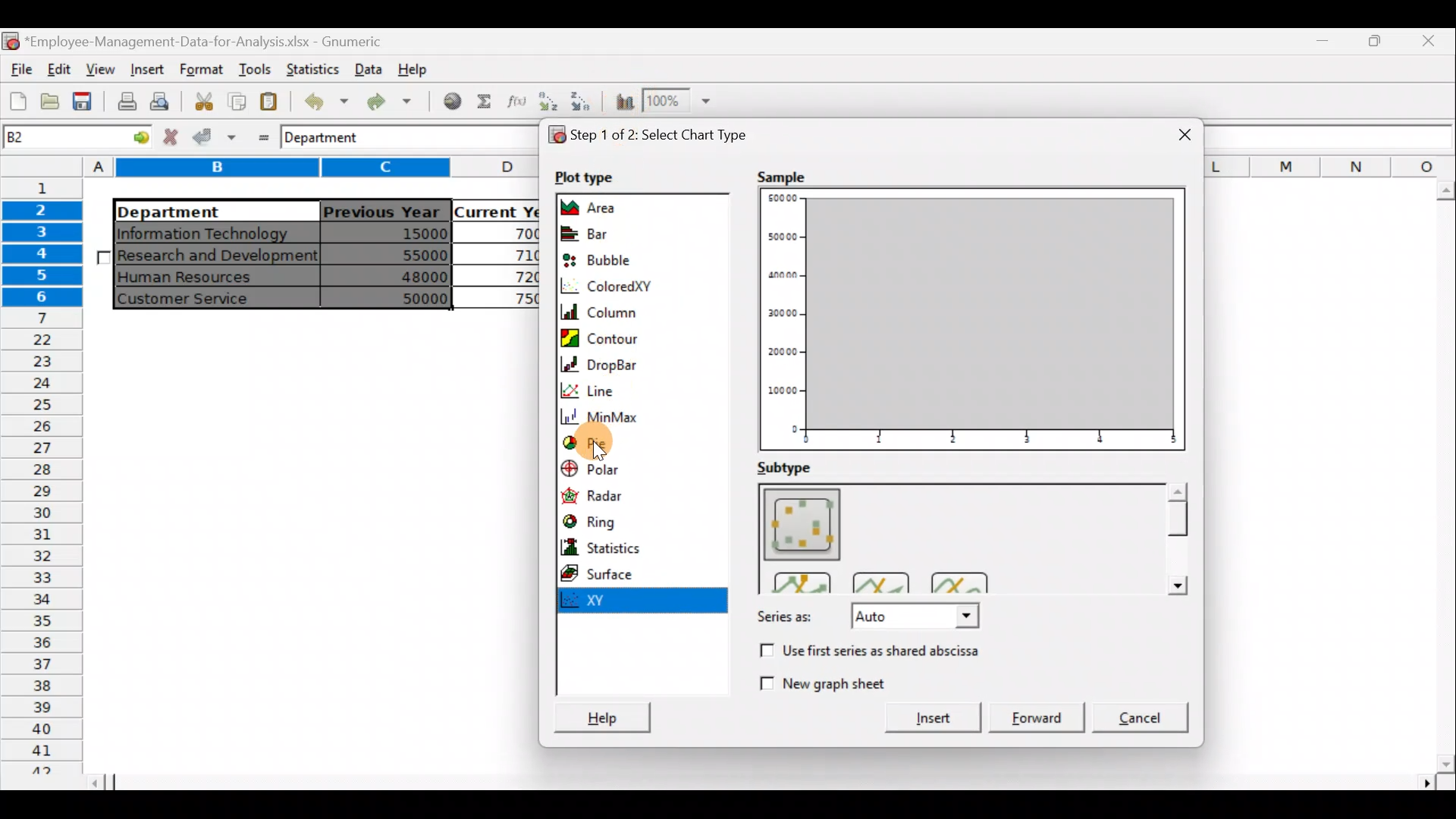 The image size is (1456, 819). I want to click on Statistics, so click(313, 68).